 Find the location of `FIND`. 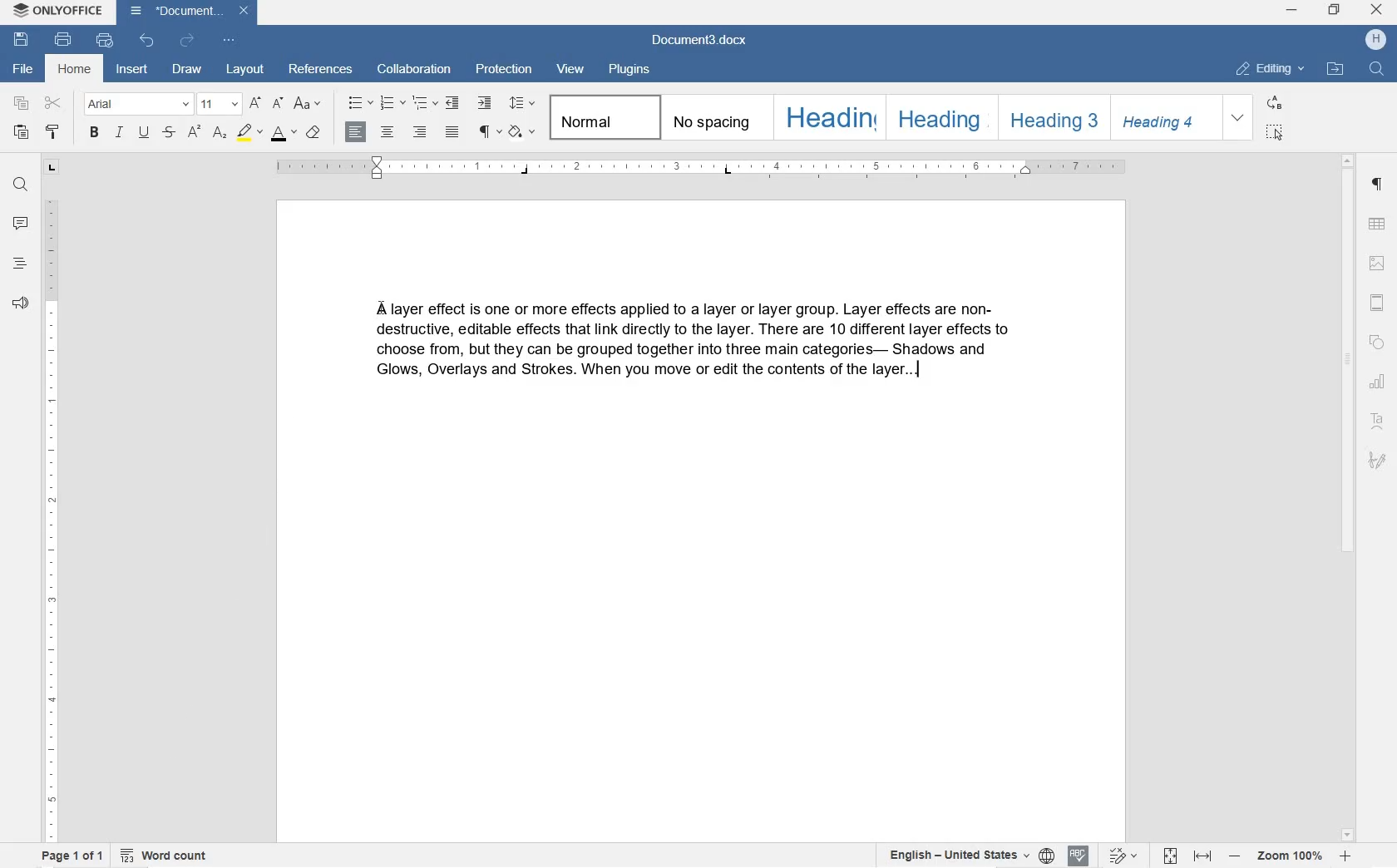

FIND is located at coordinates (1375, 68).